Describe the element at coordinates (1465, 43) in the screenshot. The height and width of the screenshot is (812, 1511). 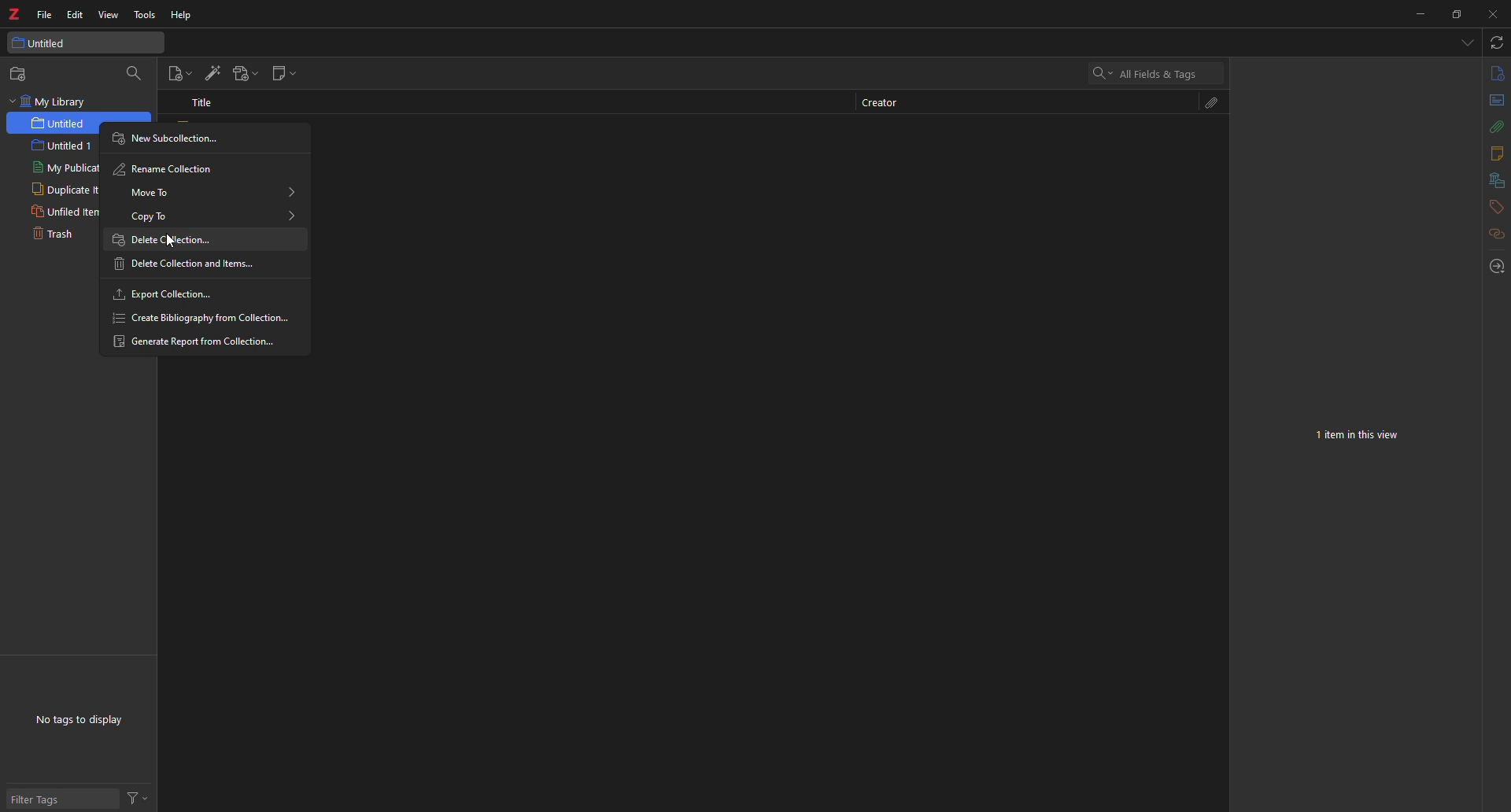
I see `tabs` at that location.